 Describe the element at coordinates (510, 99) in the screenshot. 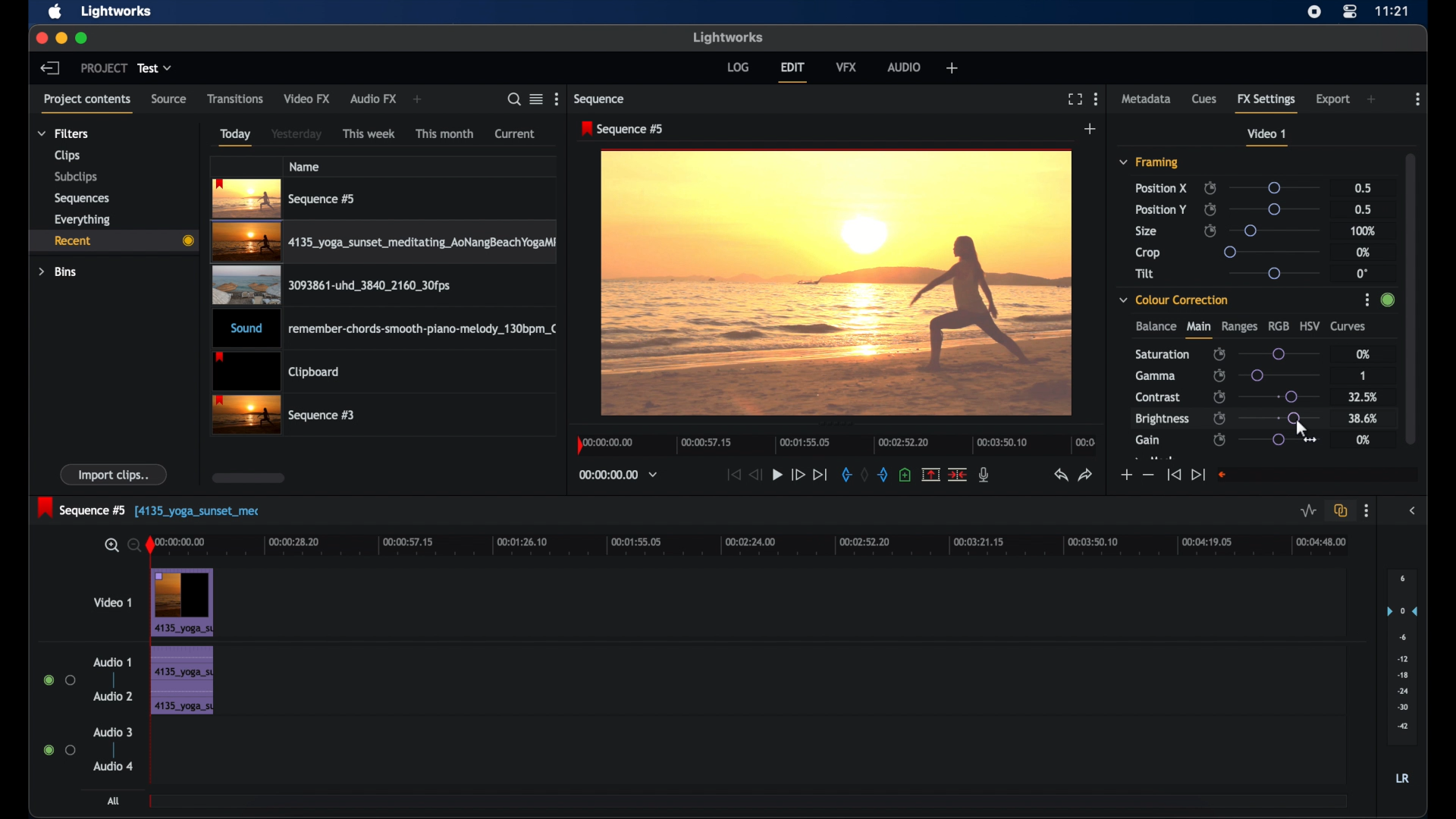

I see `search` at that location.